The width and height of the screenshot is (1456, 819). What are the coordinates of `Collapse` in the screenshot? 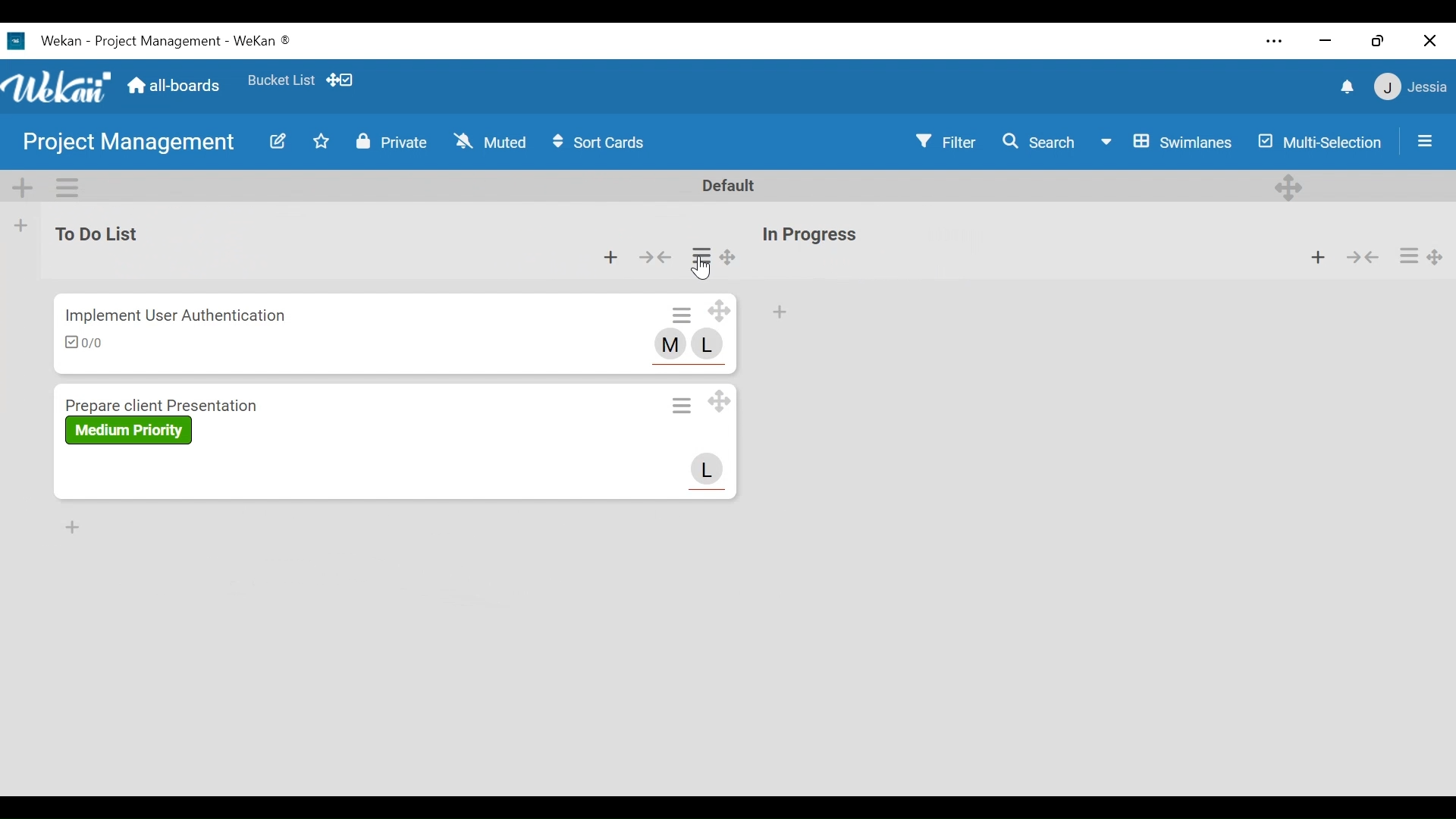 It's located at (1364, 257).